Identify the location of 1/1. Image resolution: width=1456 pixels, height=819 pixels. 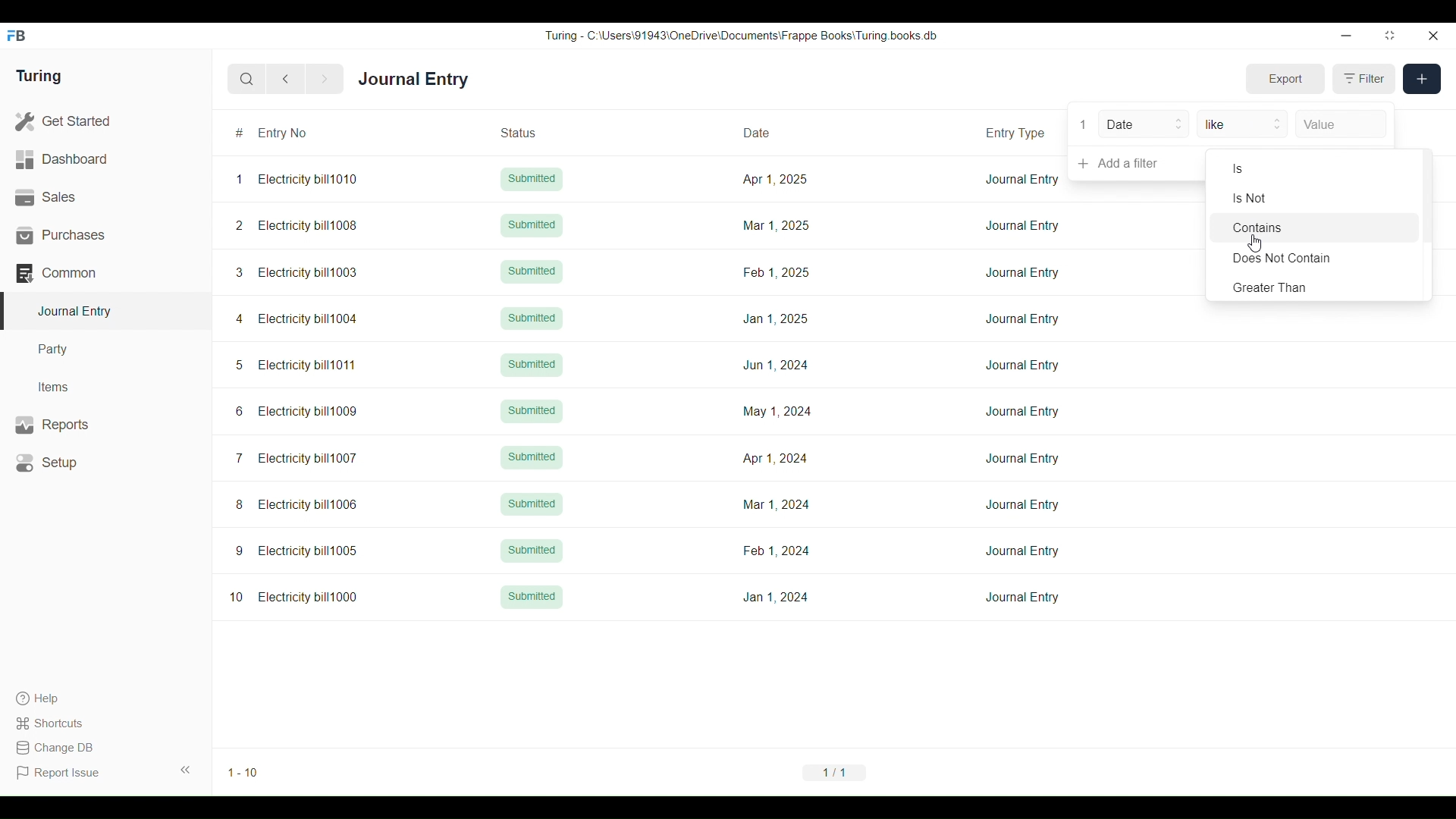
(834, 772).